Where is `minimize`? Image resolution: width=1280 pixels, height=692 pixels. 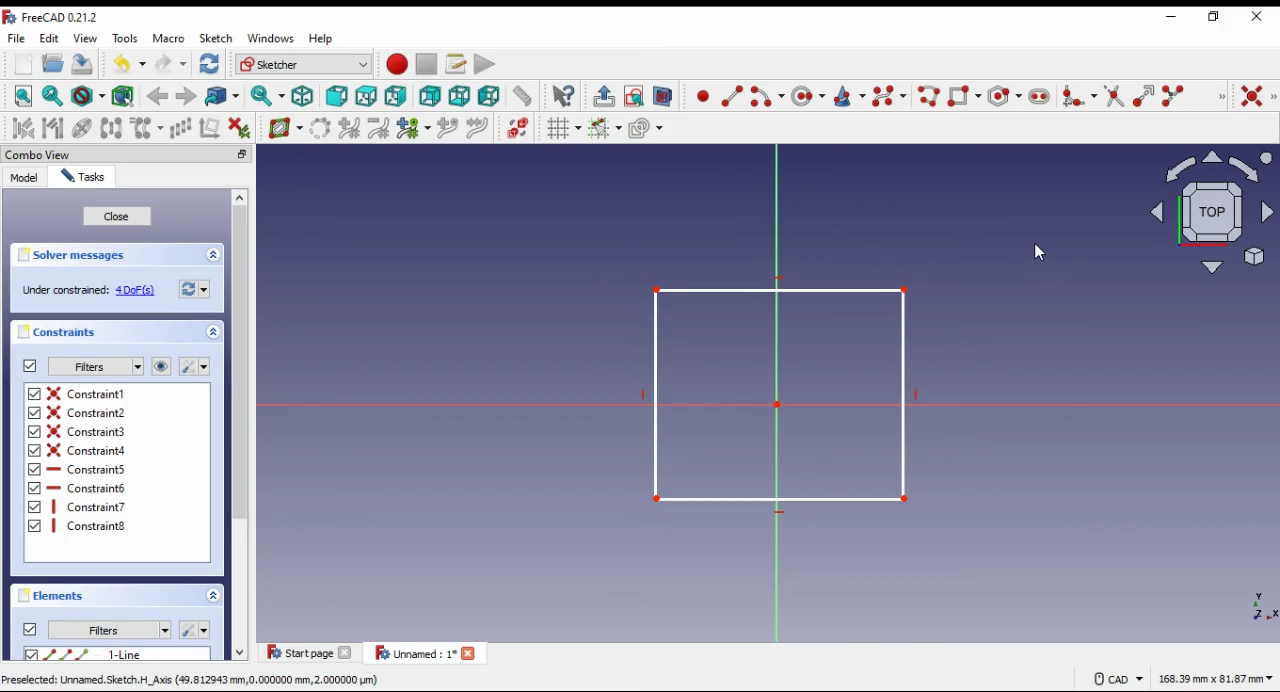
minimize is located at coordinates (242, 154).